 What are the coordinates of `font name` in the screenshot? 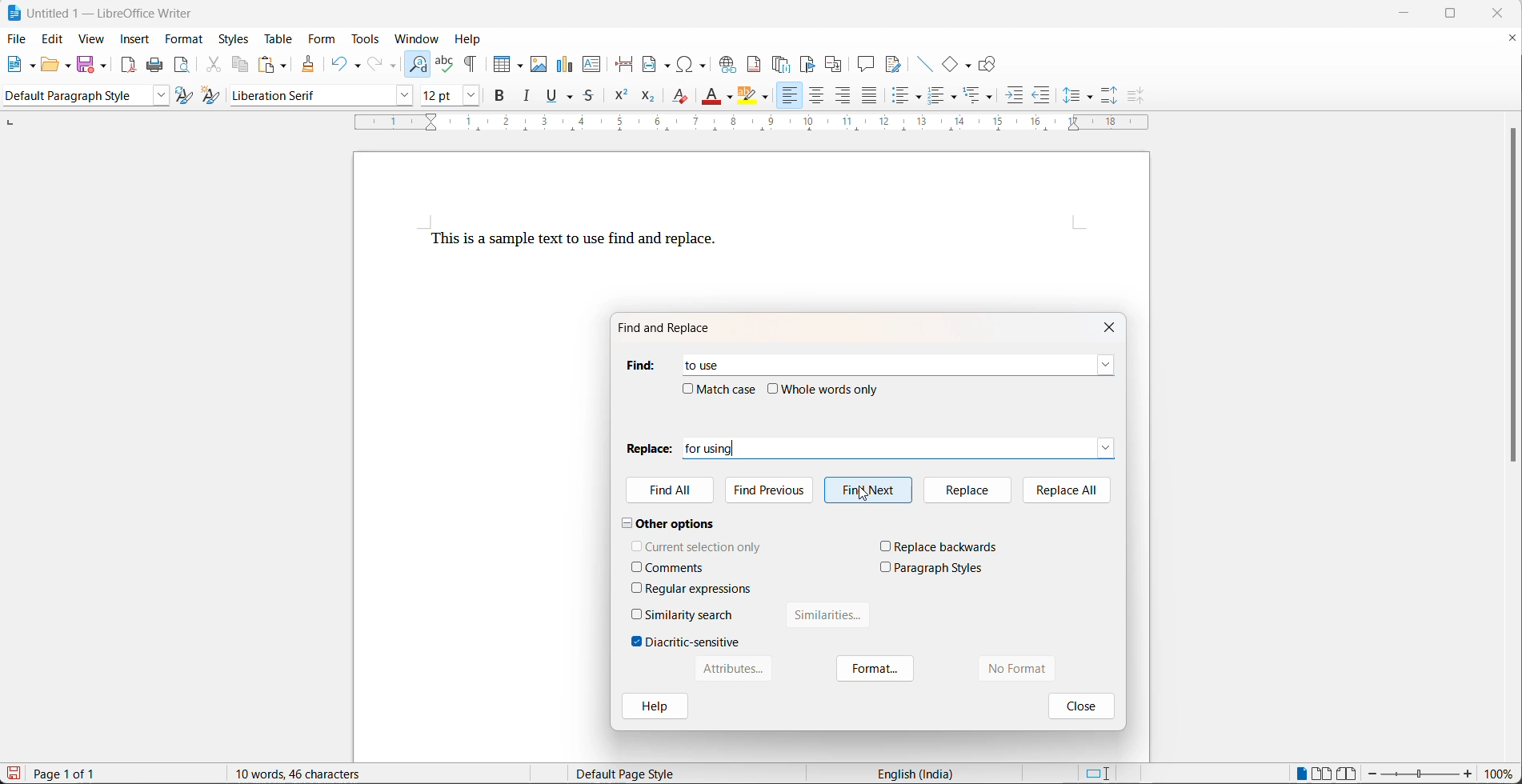 It's located at (306, 96).